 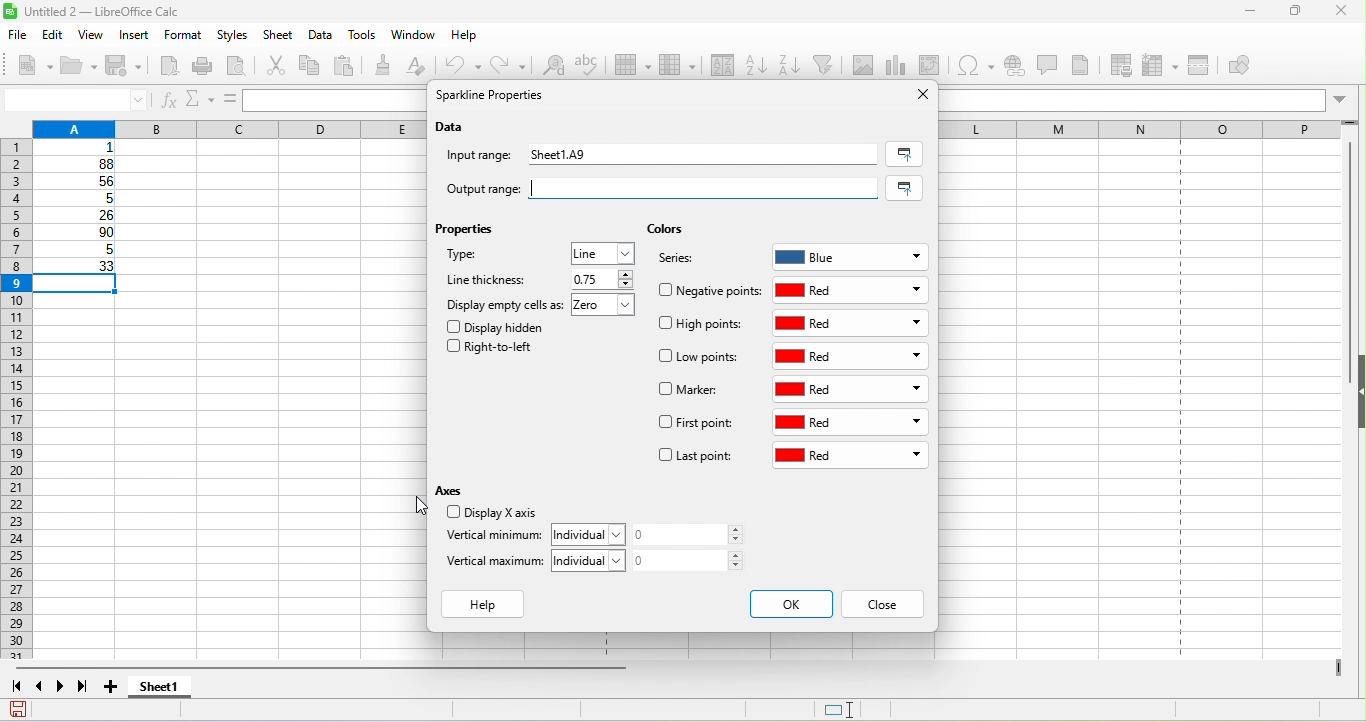 I want to click on column headingas, so click(x=1155, y=128).